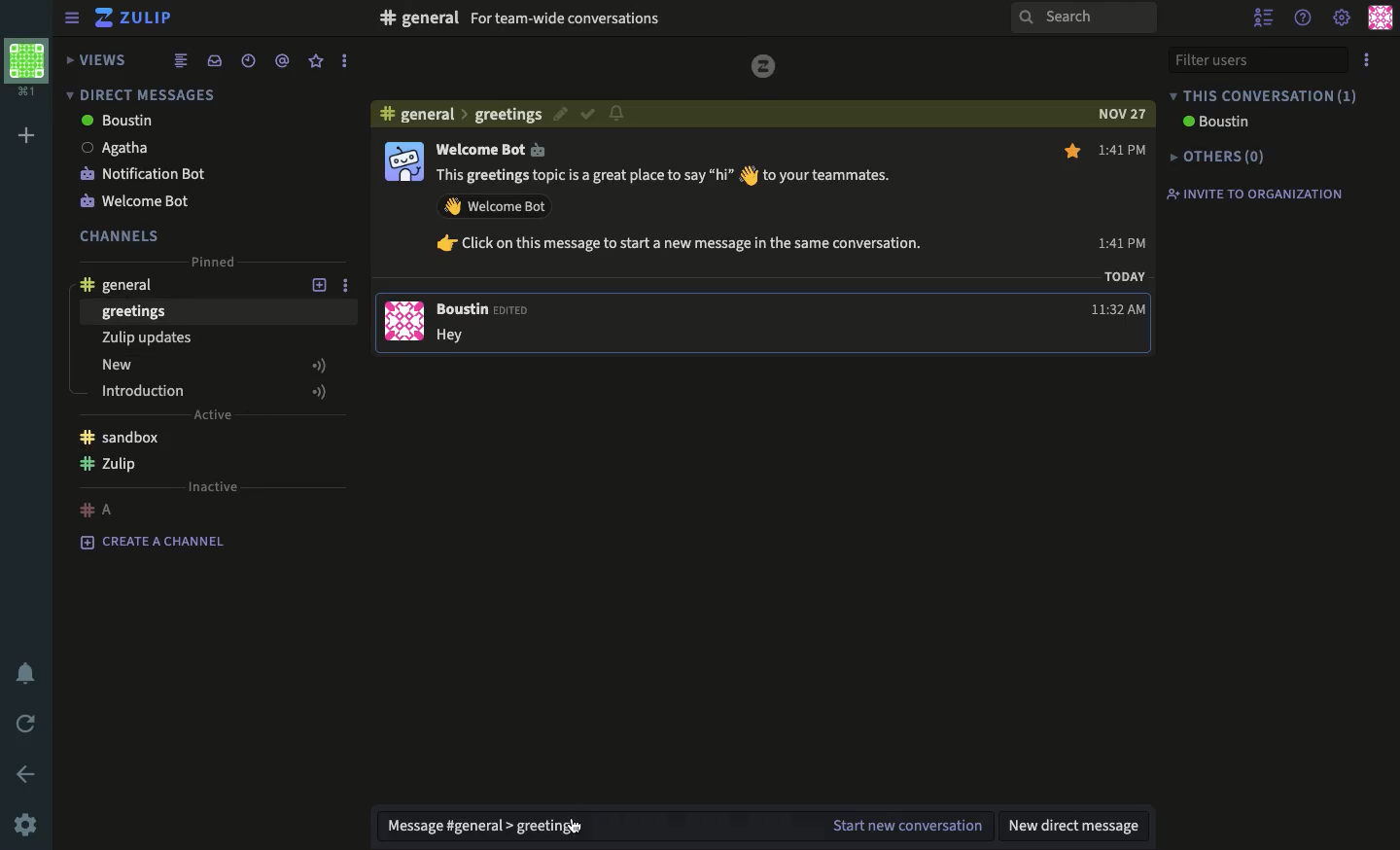  What do you see at coordinates (557, 114) in the screenshot?
I see `edit` at bounding box center [557, 114].